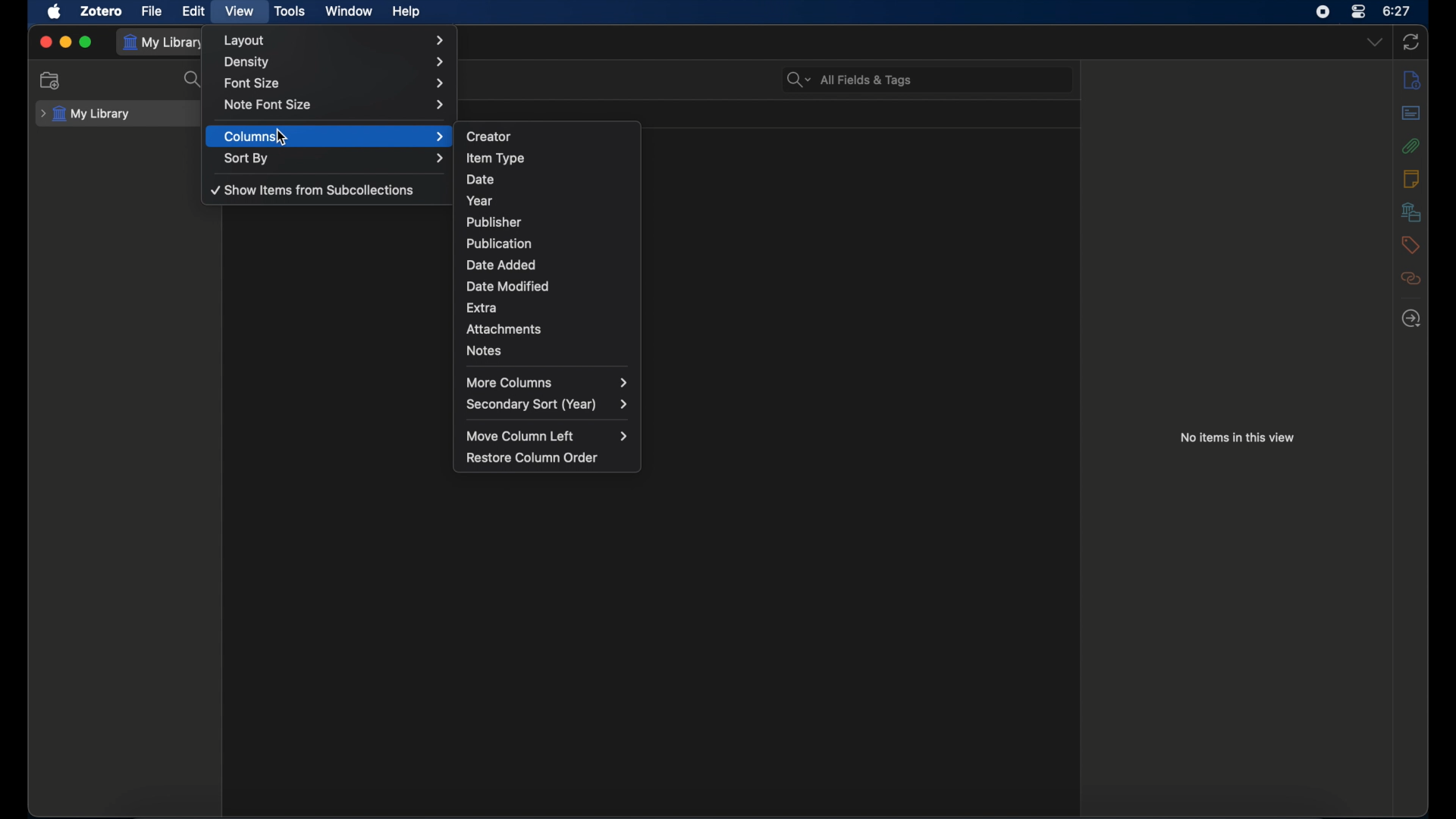 This screenshot has width=1456, height=819. What do you see at coordinates (1396, 11) in the screenshot?
I see `time` at bounding box center [1396, 11].